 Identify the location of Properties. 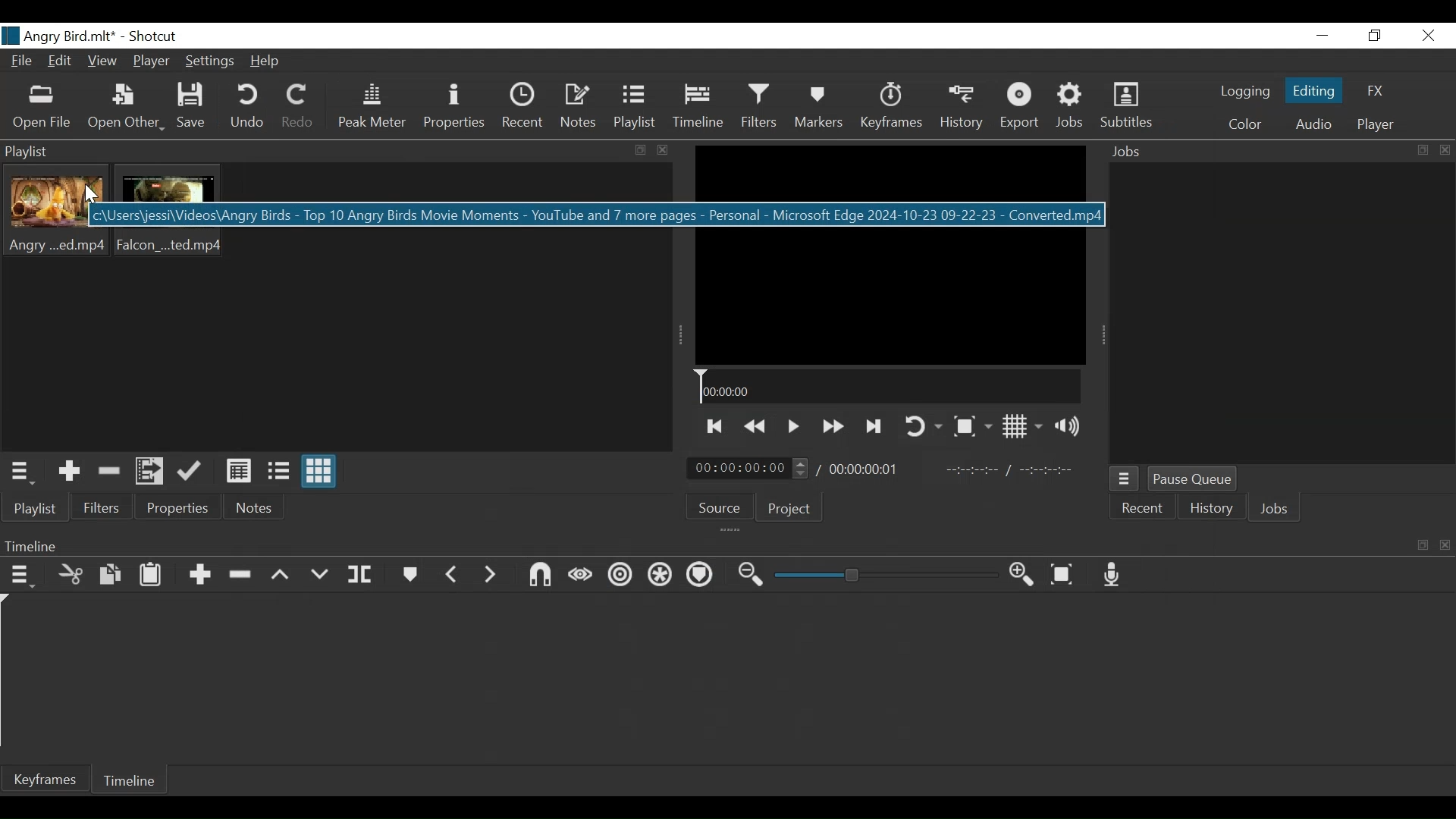
(180, 508).